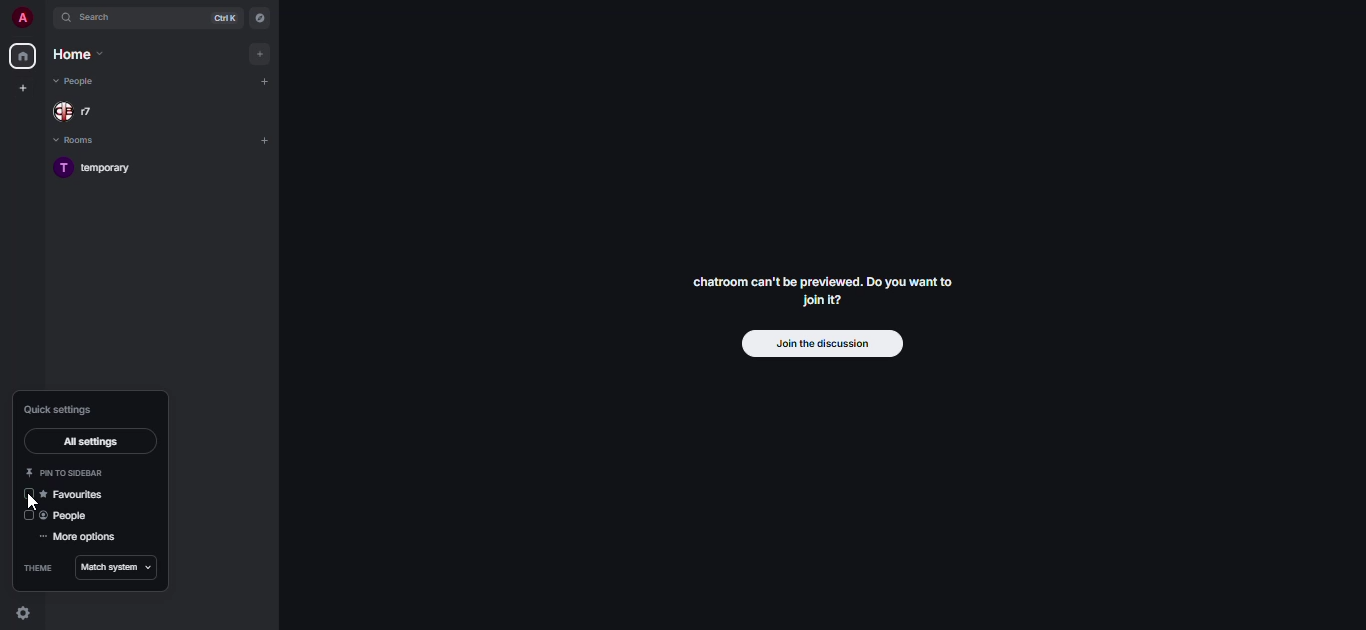 This screenshot has width=1366, height=630. I want to click on all settings, so click(86, 442).